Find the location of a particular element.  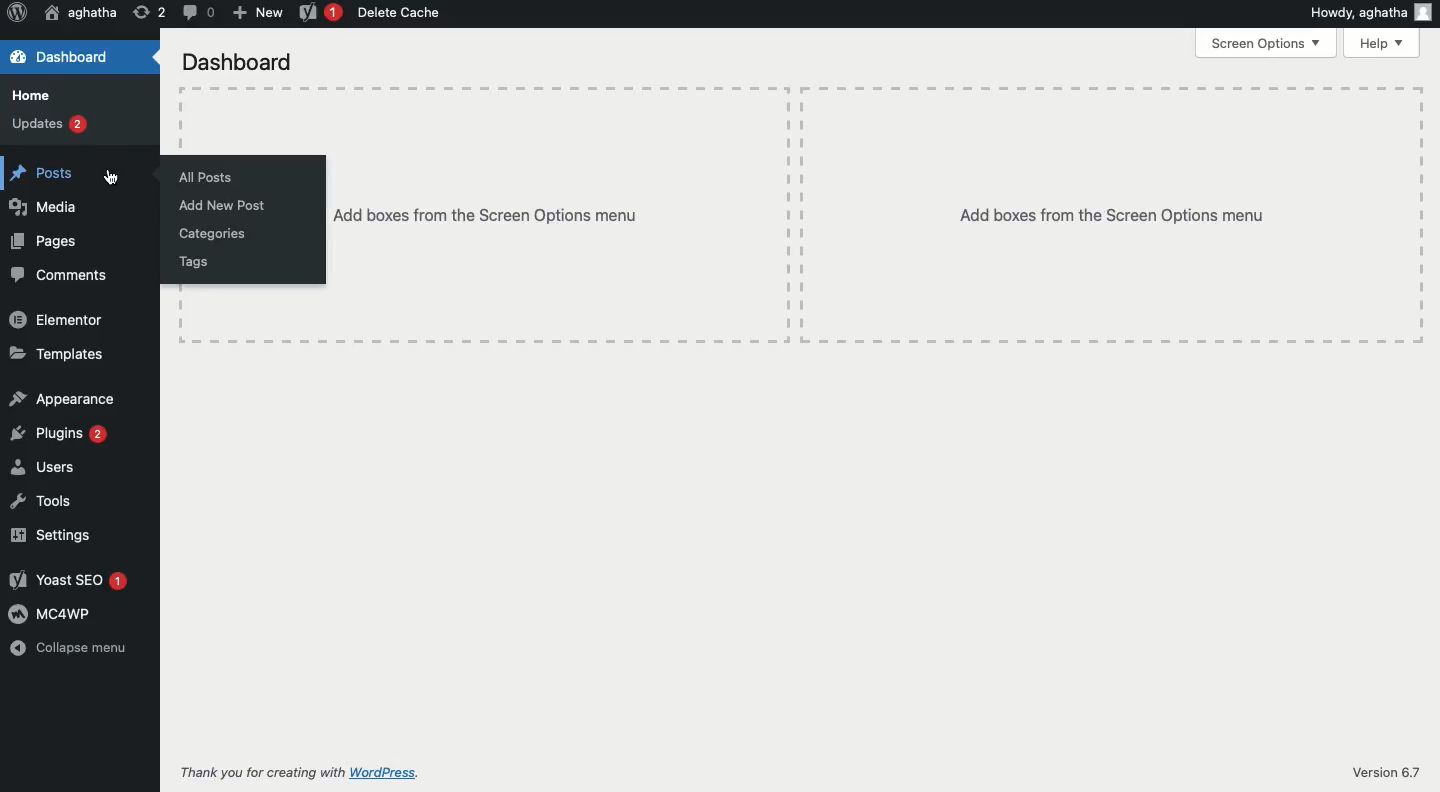

Elementor is located at coordinates (56, 318).